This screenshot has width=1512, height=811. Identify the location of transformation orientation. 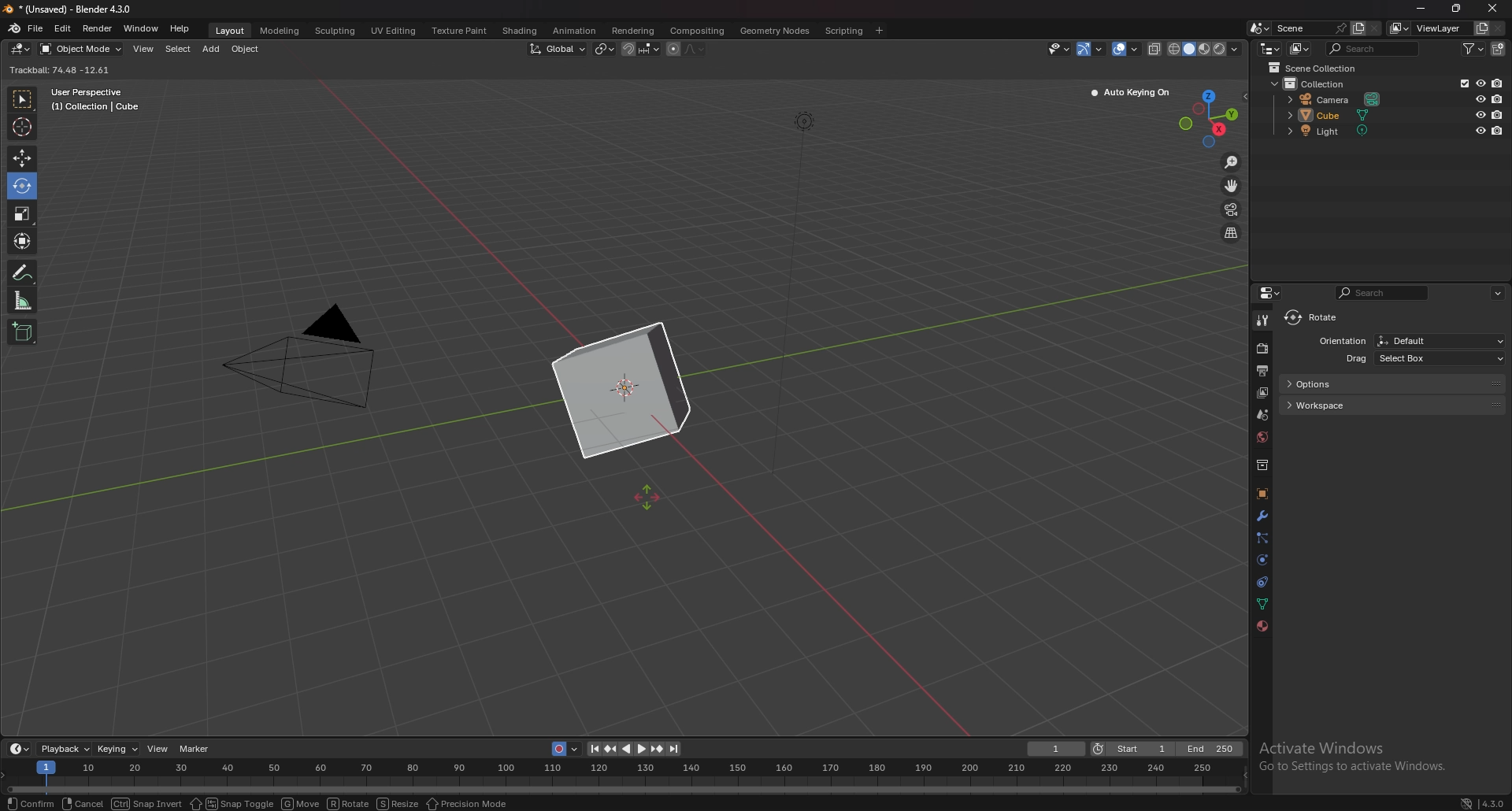
(558, 48).